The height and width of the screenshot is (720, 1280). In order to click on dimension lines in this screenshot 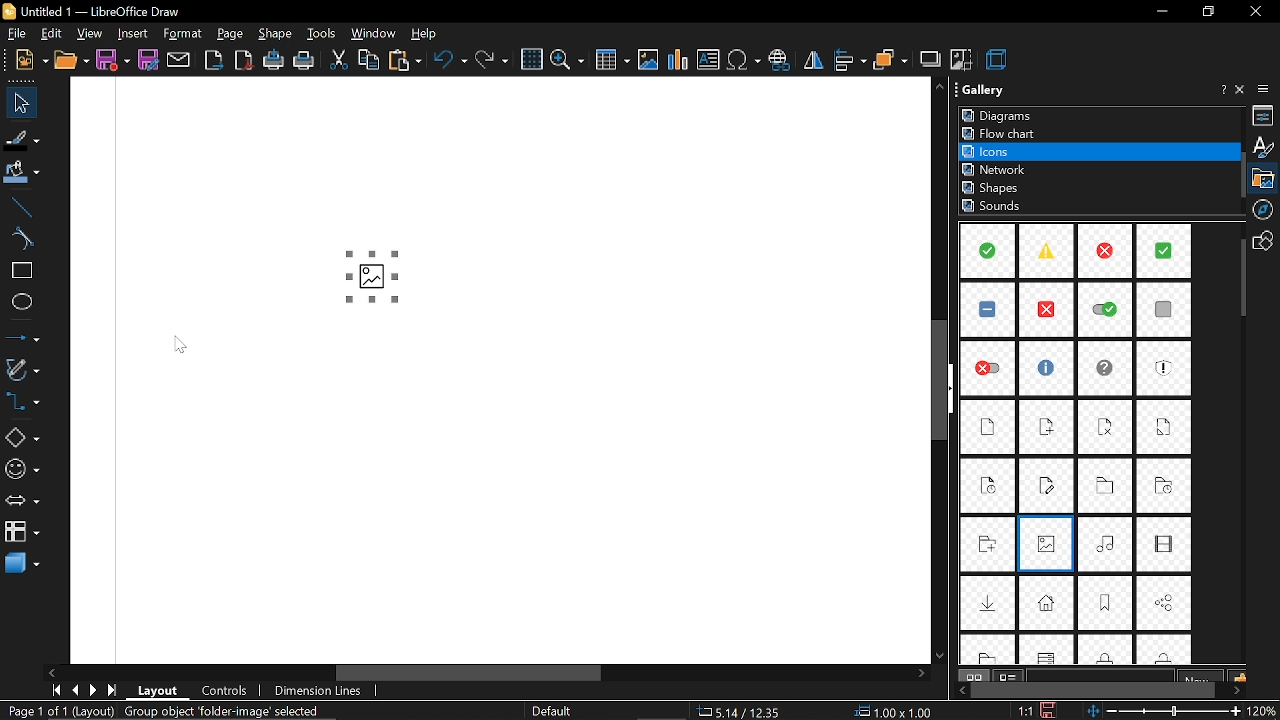, I will do `click(322, 691)`.